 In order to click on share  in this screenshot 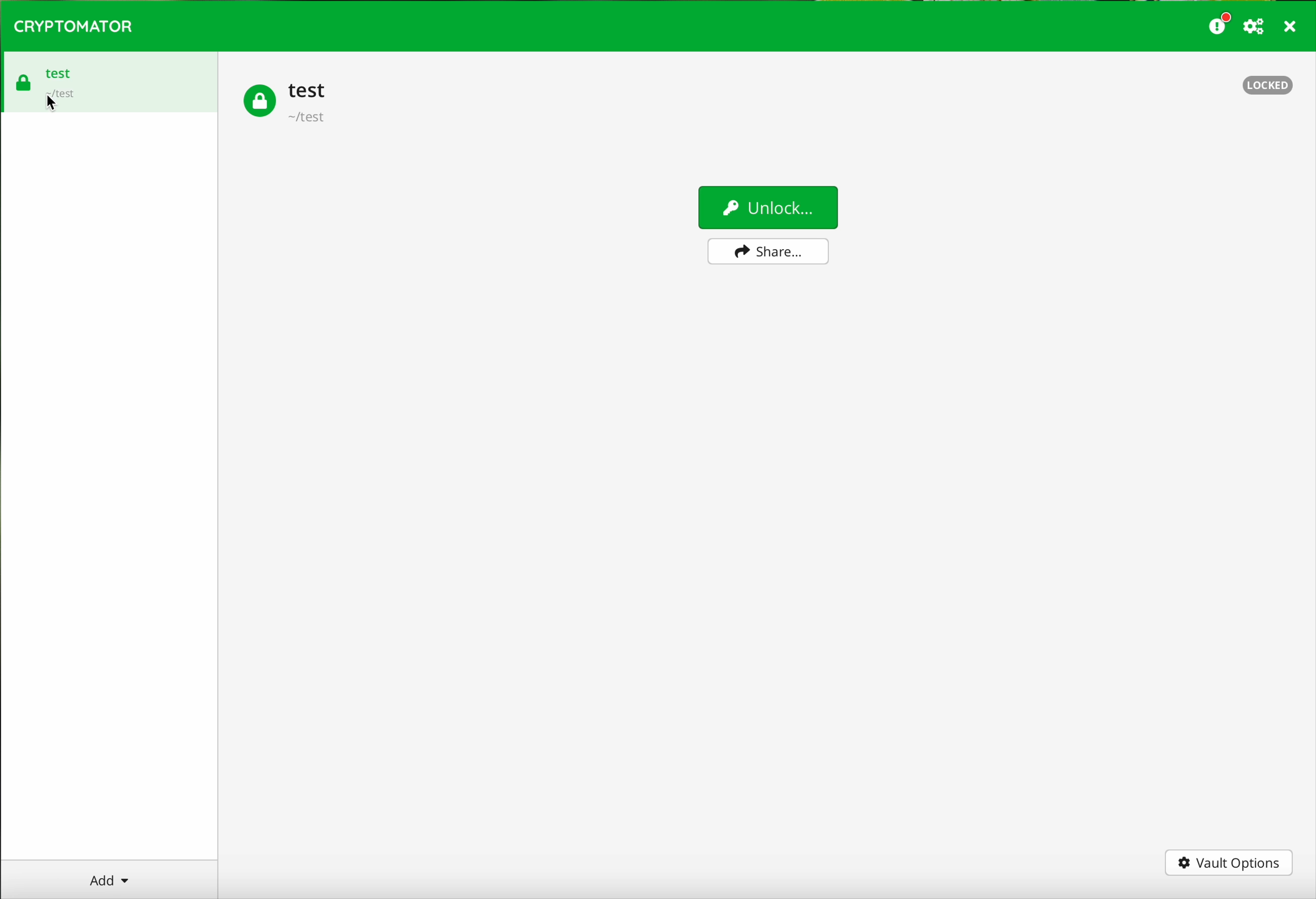, I will do `click(768, 254)`.